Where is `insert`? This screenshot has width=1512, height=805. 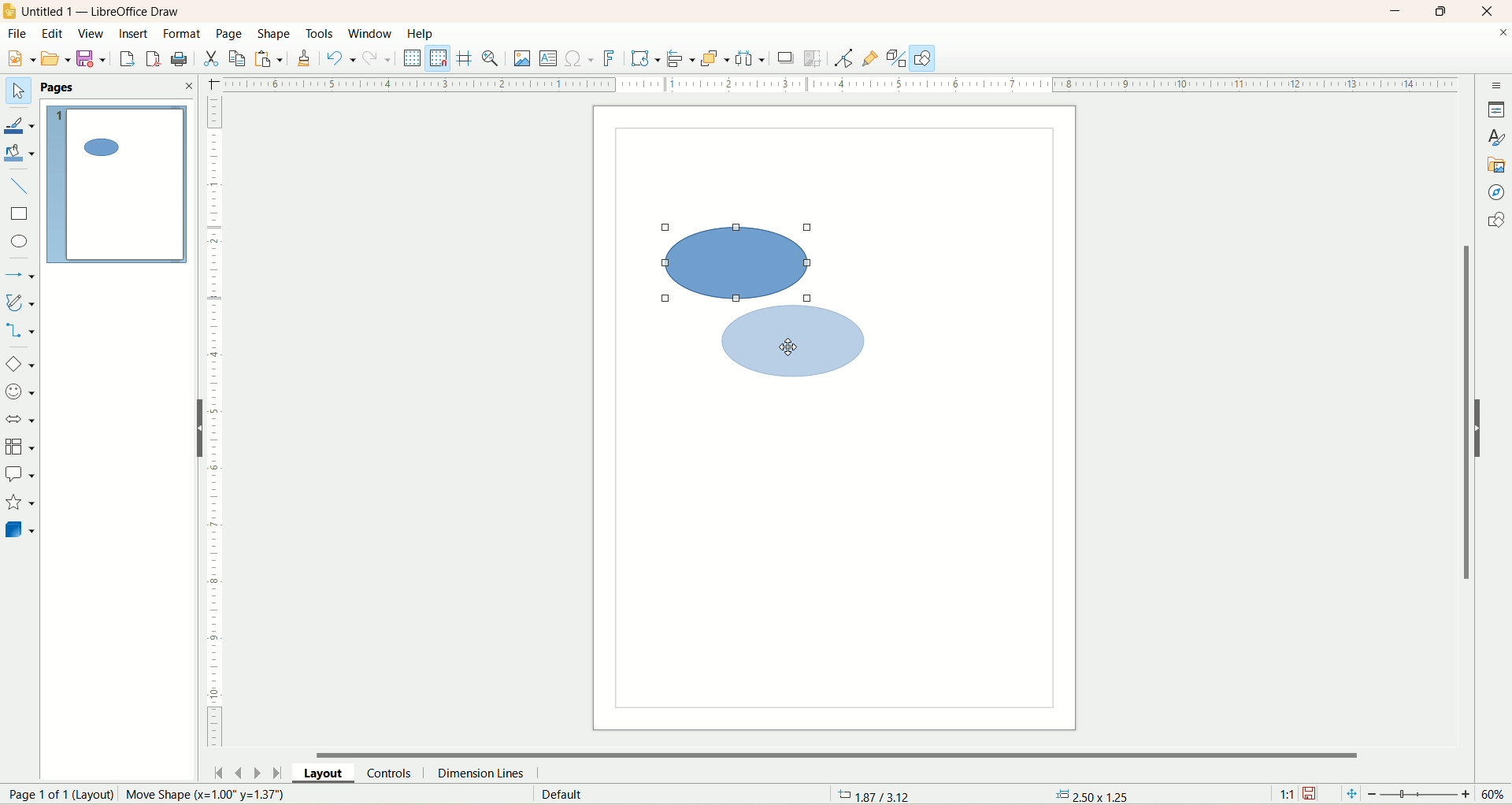 insert is located at coordinates (131, 34).